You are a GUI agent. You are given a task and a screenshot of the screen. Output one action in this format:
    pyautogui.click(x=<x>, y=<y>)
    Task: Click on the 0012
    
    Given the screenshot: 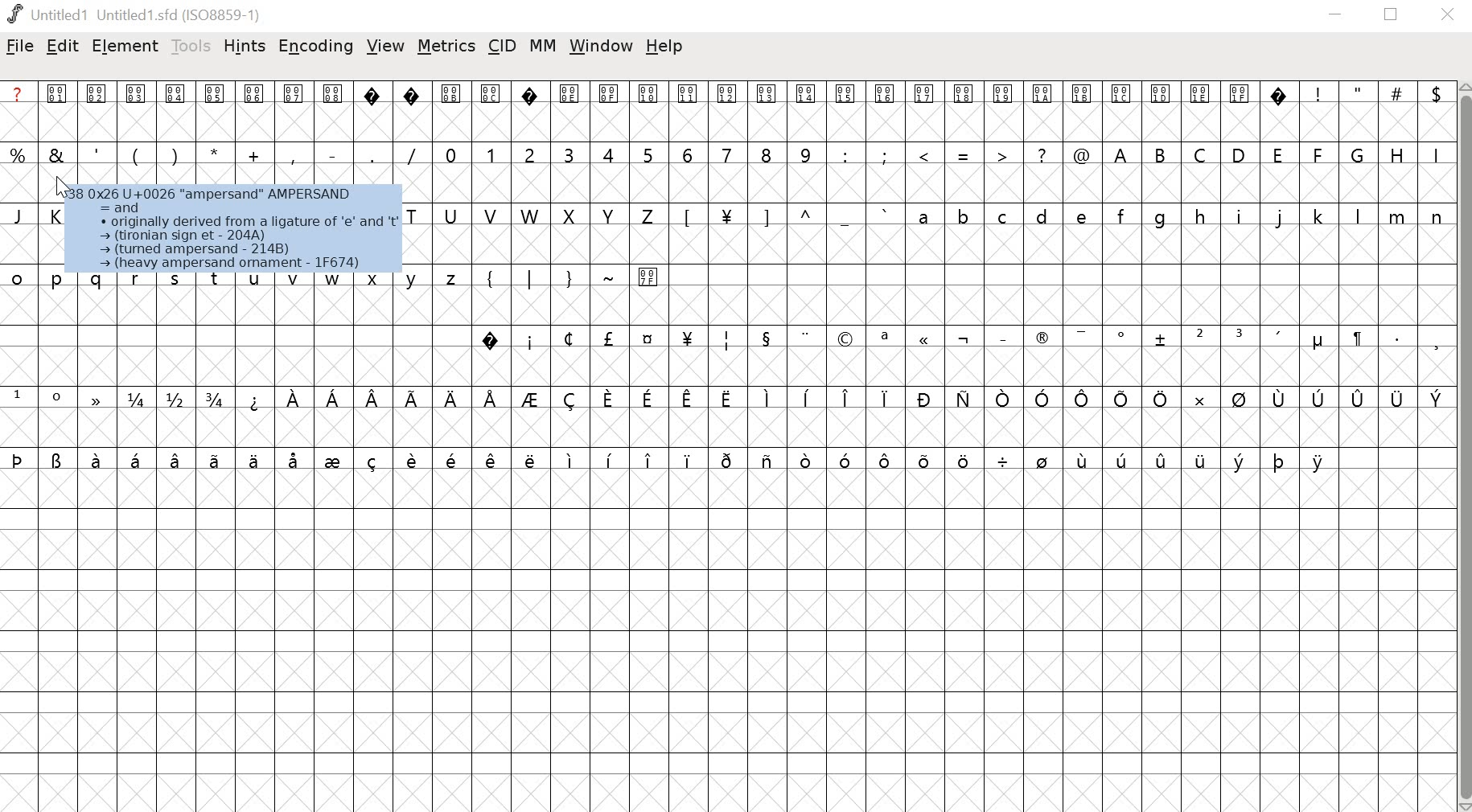 What is the action you would take?
    pyautogui.click(x=731, y=111)
    